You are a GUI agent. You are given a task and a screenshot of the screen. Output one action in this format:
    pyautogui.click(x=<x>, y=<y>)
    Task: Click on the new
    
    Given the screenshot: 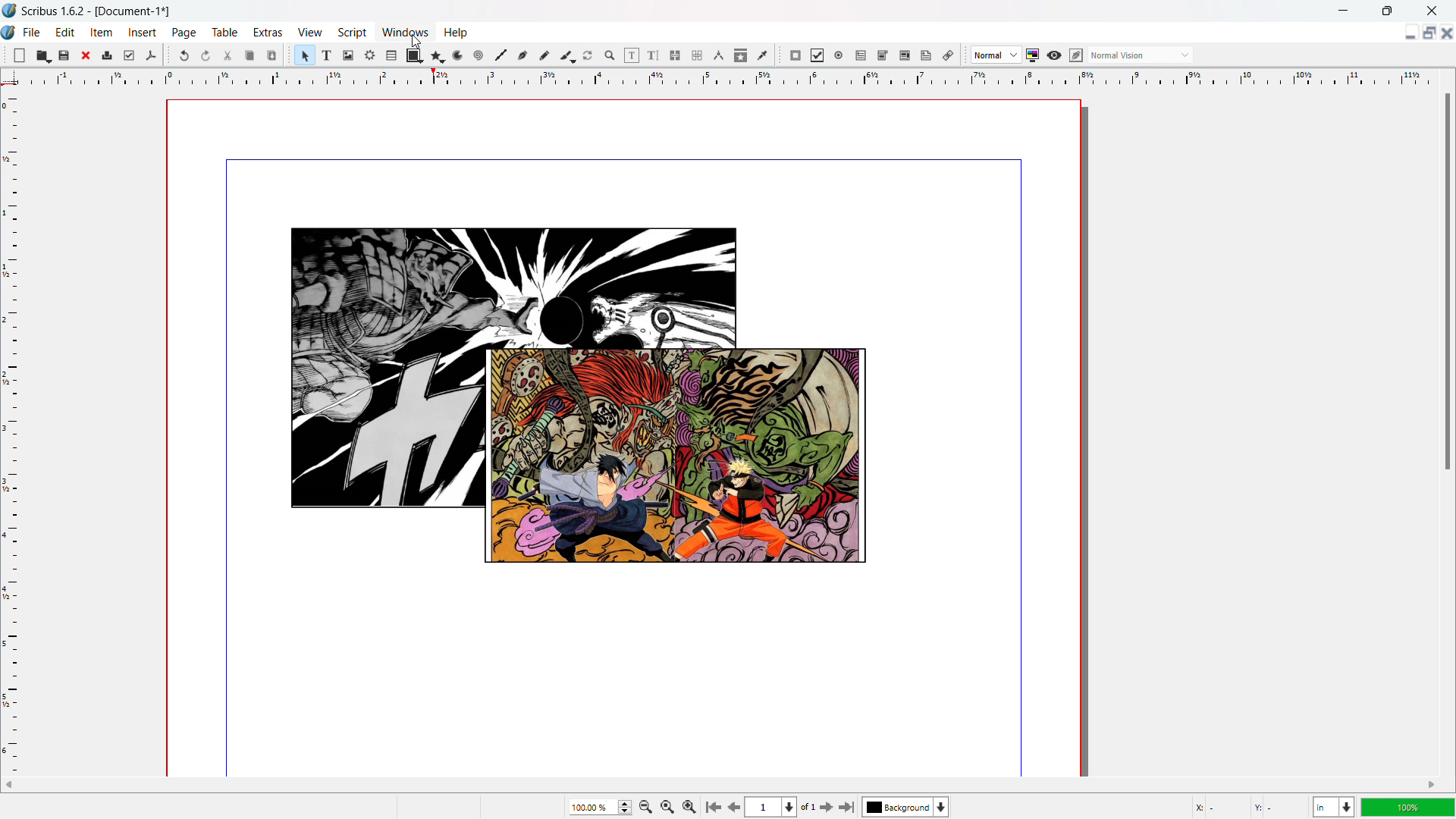 What is the action you would take?
    pyautogui.click(x=20, y=55)
    